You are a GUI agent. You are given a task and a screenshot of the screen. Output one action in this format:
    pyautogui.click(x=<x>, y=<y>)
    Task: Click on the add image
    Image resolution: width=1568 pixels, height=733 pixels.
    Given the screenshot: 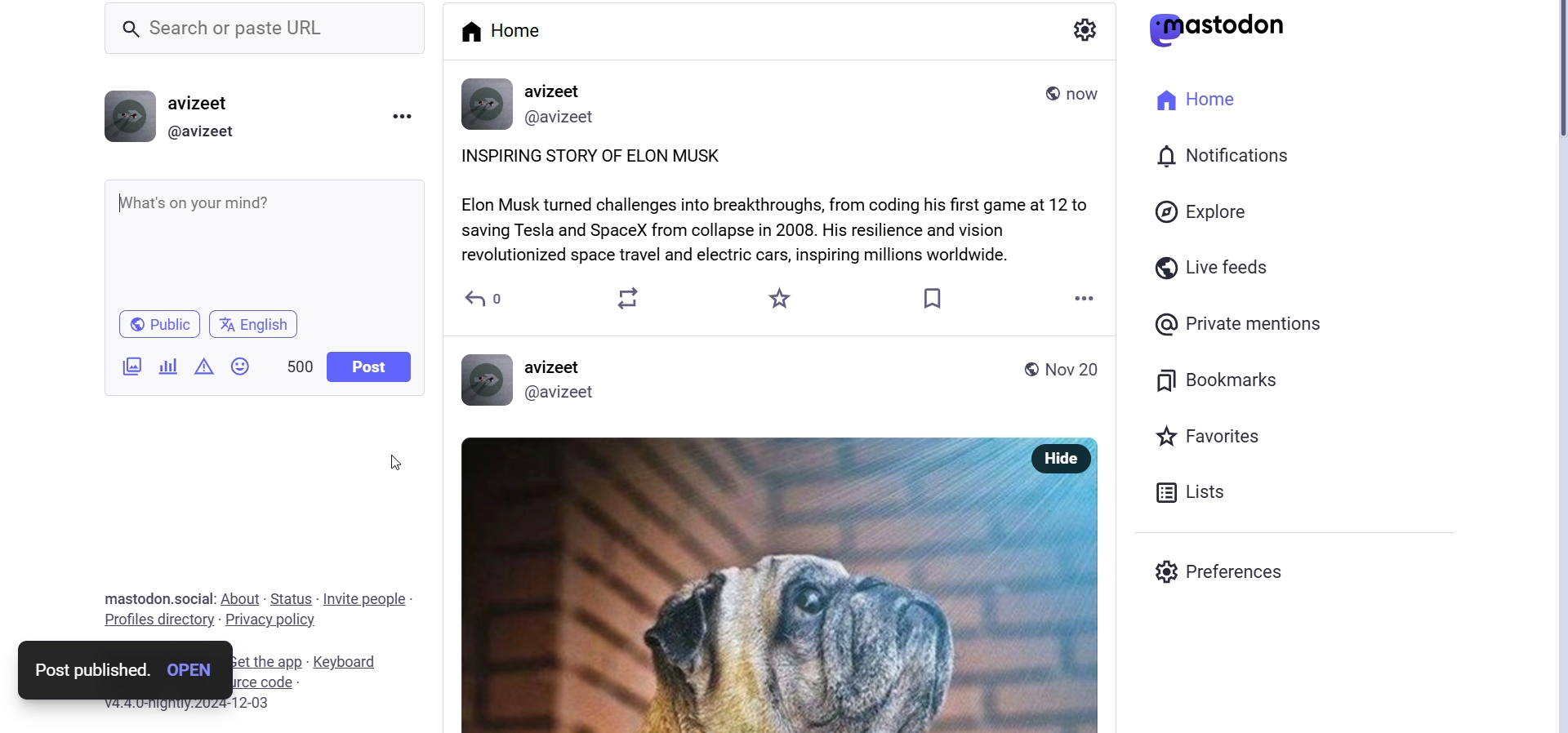 What is the action you would take?
    pyautogui.click(x=127, y=372)
    